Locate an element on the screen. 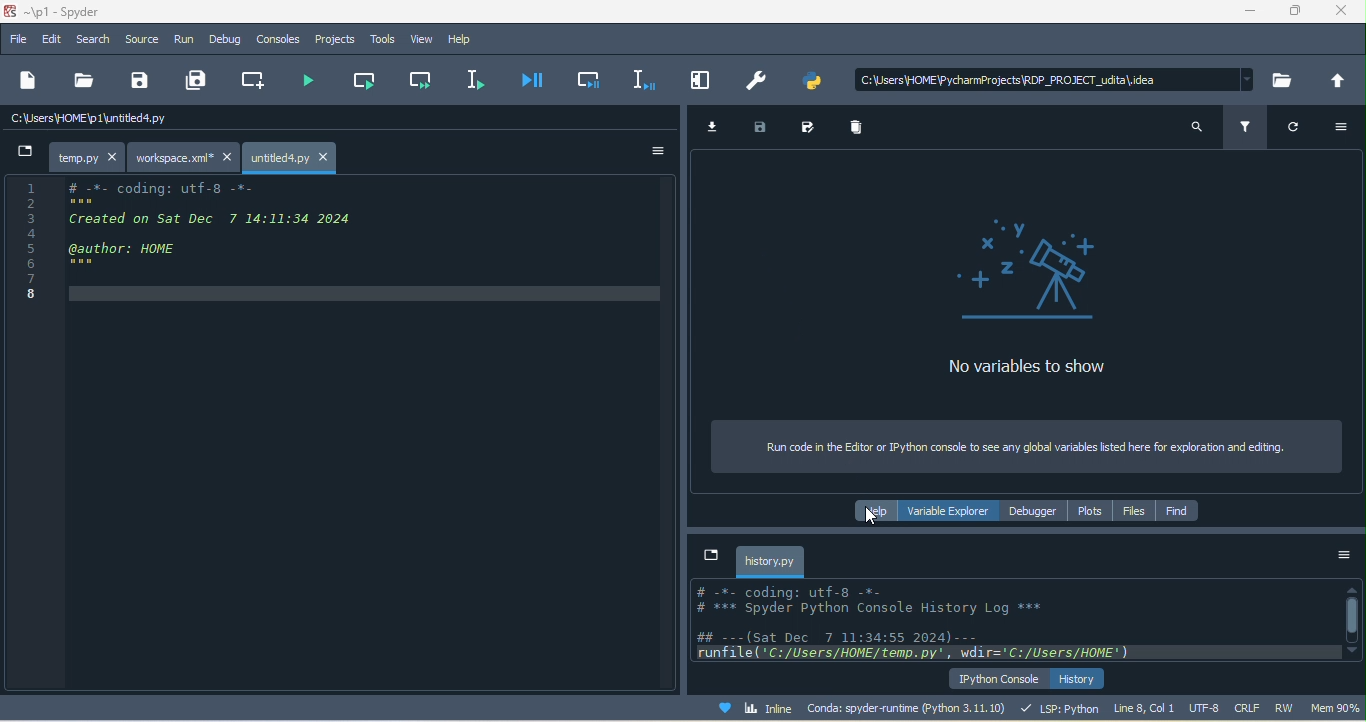 The width and height of the screenshot is (1366, 722). change to parent directory is located at coordinates (1334, 81).